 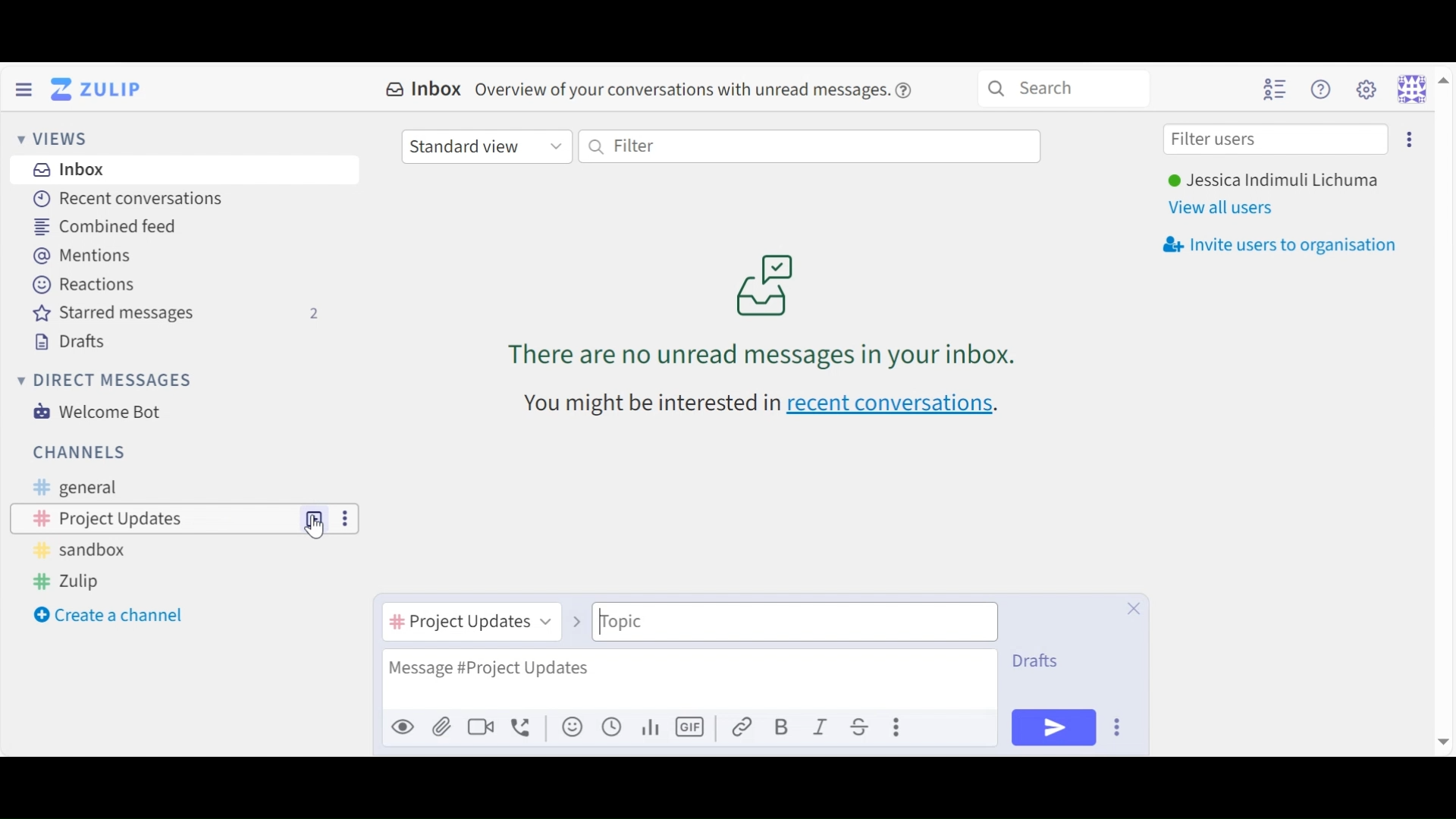 I want to click on Filter, so click(x=809, y=146).